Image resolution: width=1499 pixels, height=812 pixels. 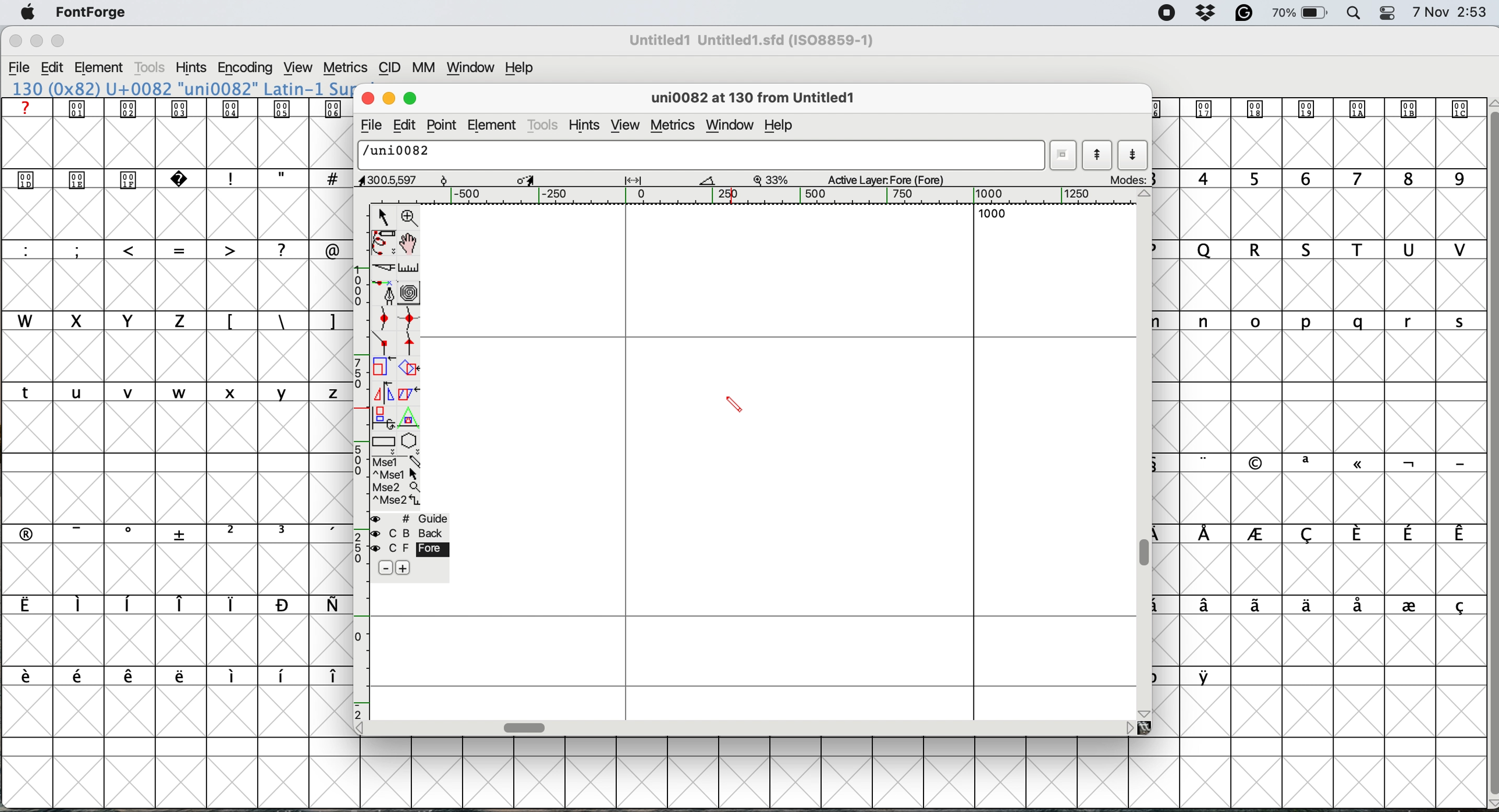 I want to click on tools, so click(x=151, y=67).